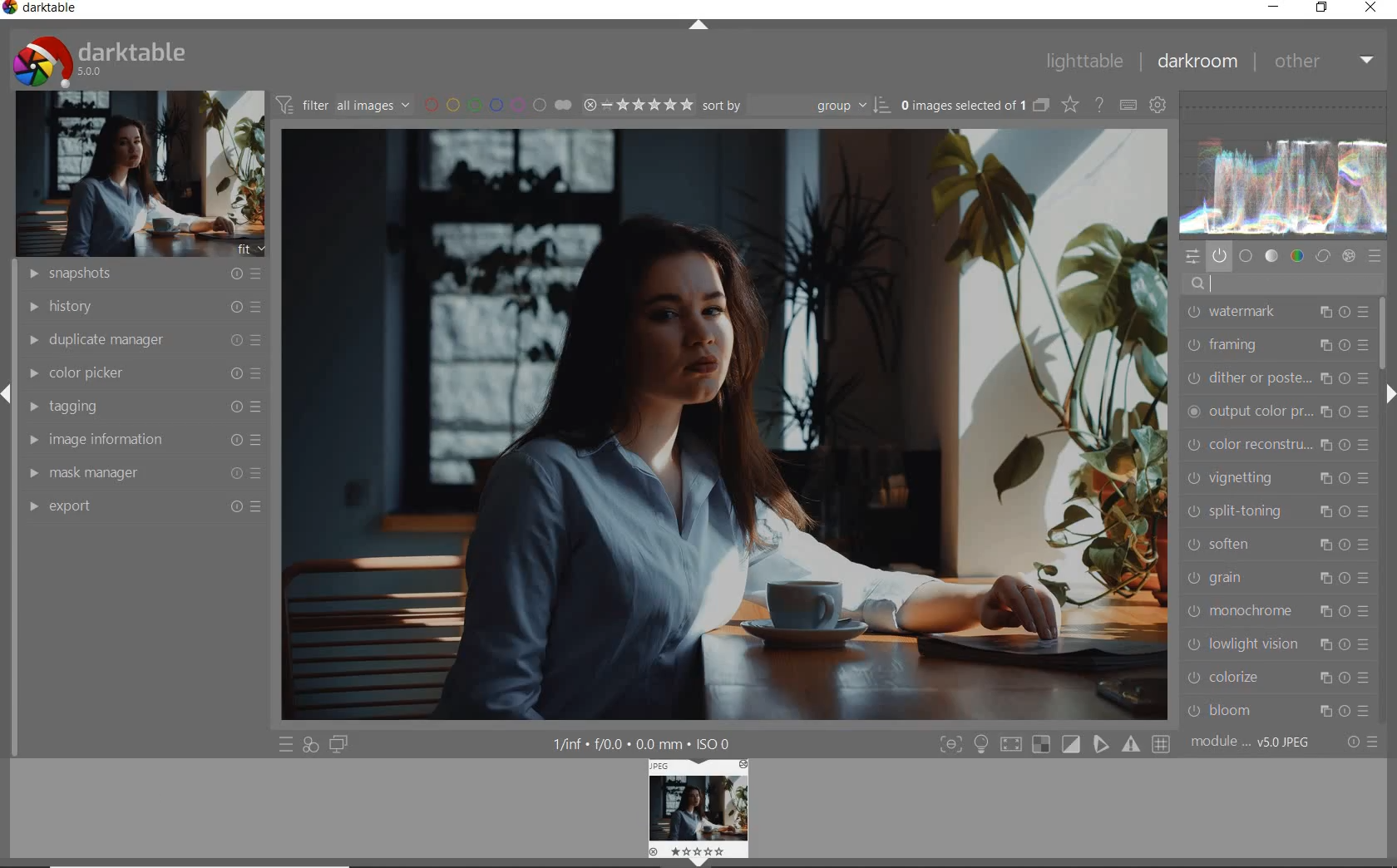 Image resolution: width=1397 pixels, height=868 pixels. Describe the element at coordinates (1276, 712) in the screenshot. I see `bloom` at that location.